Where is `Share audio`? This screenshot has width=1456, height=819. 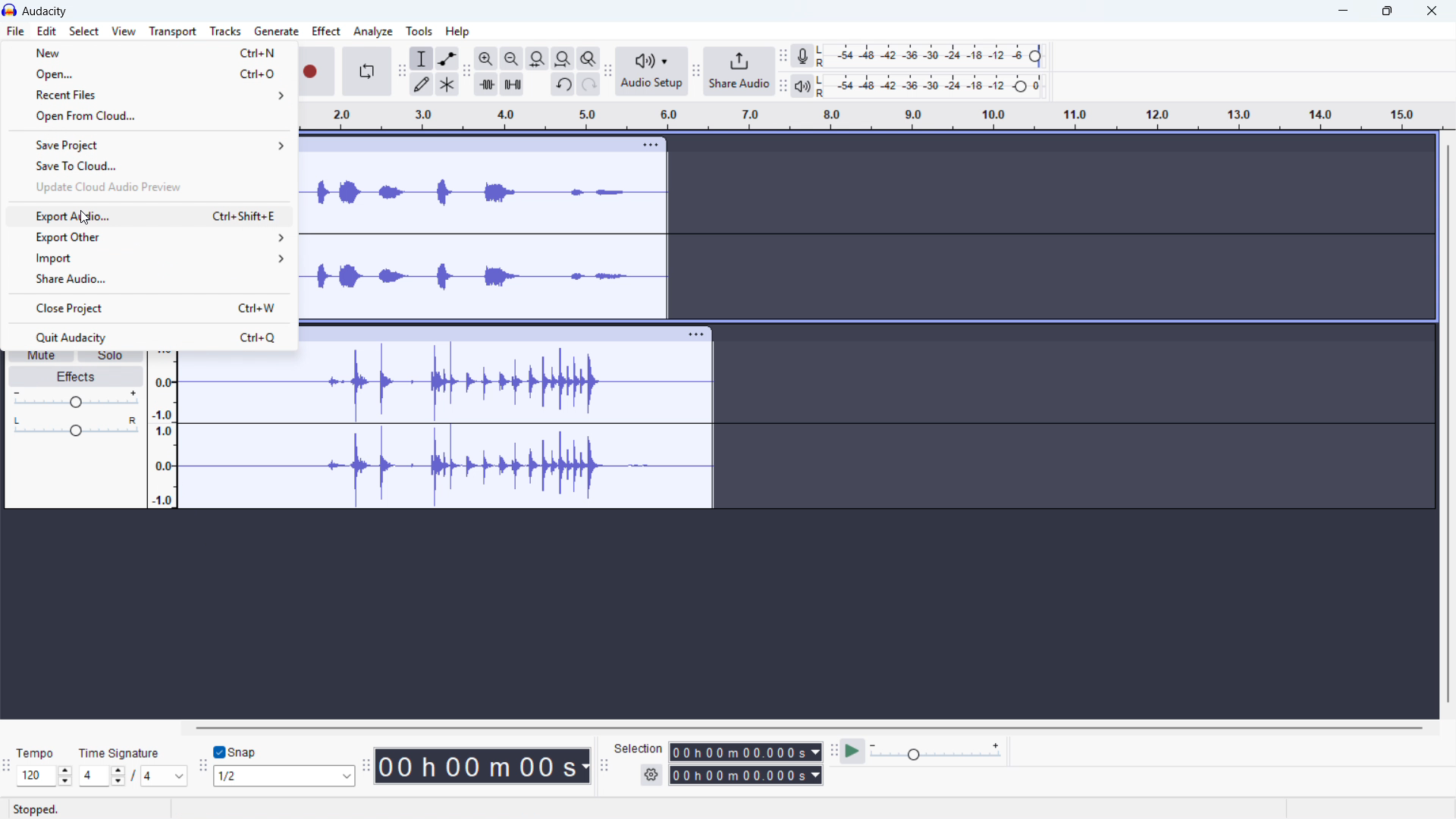
Share audio is located at coordinates (739, 71).